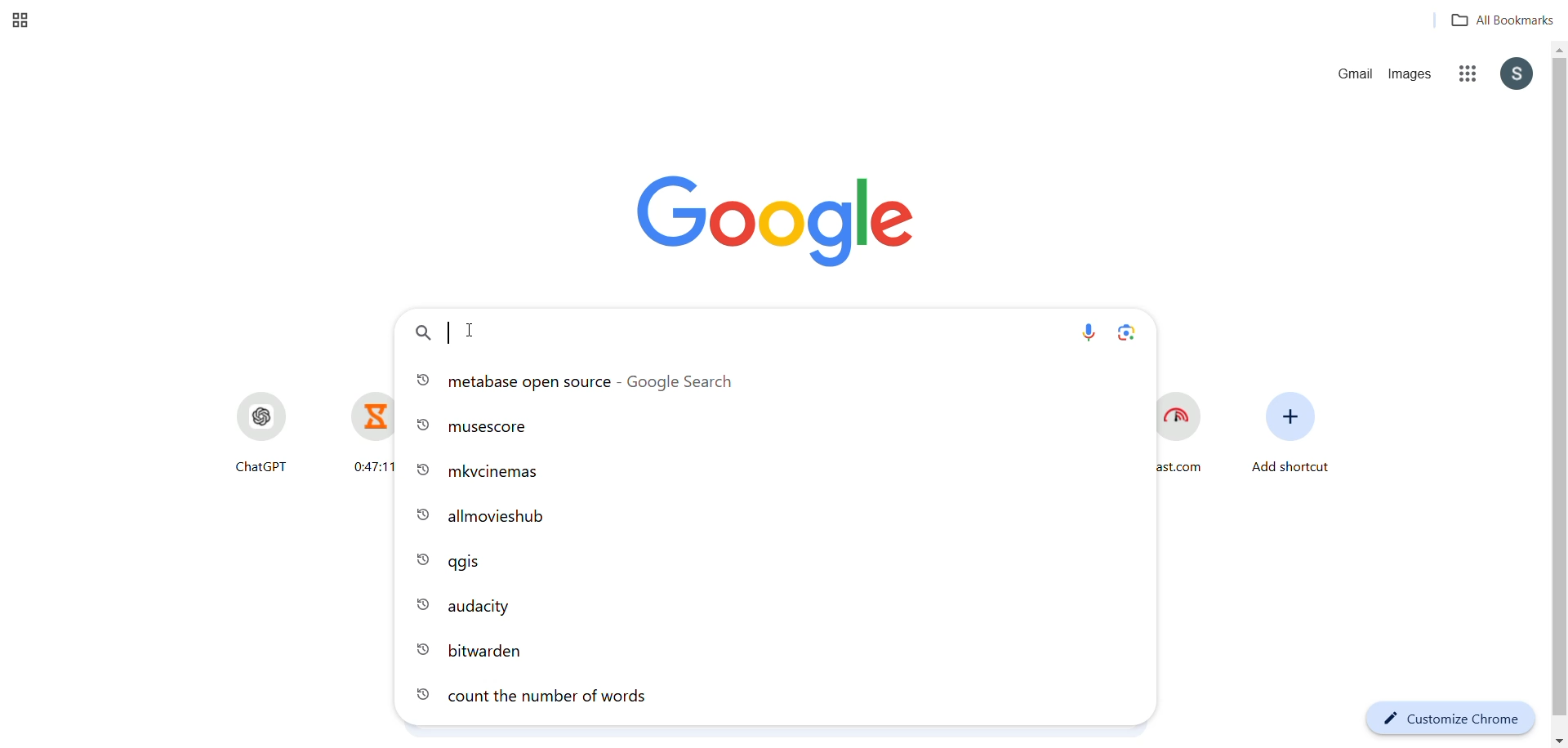  I want to click on ChatGPT, so click(257, 433).